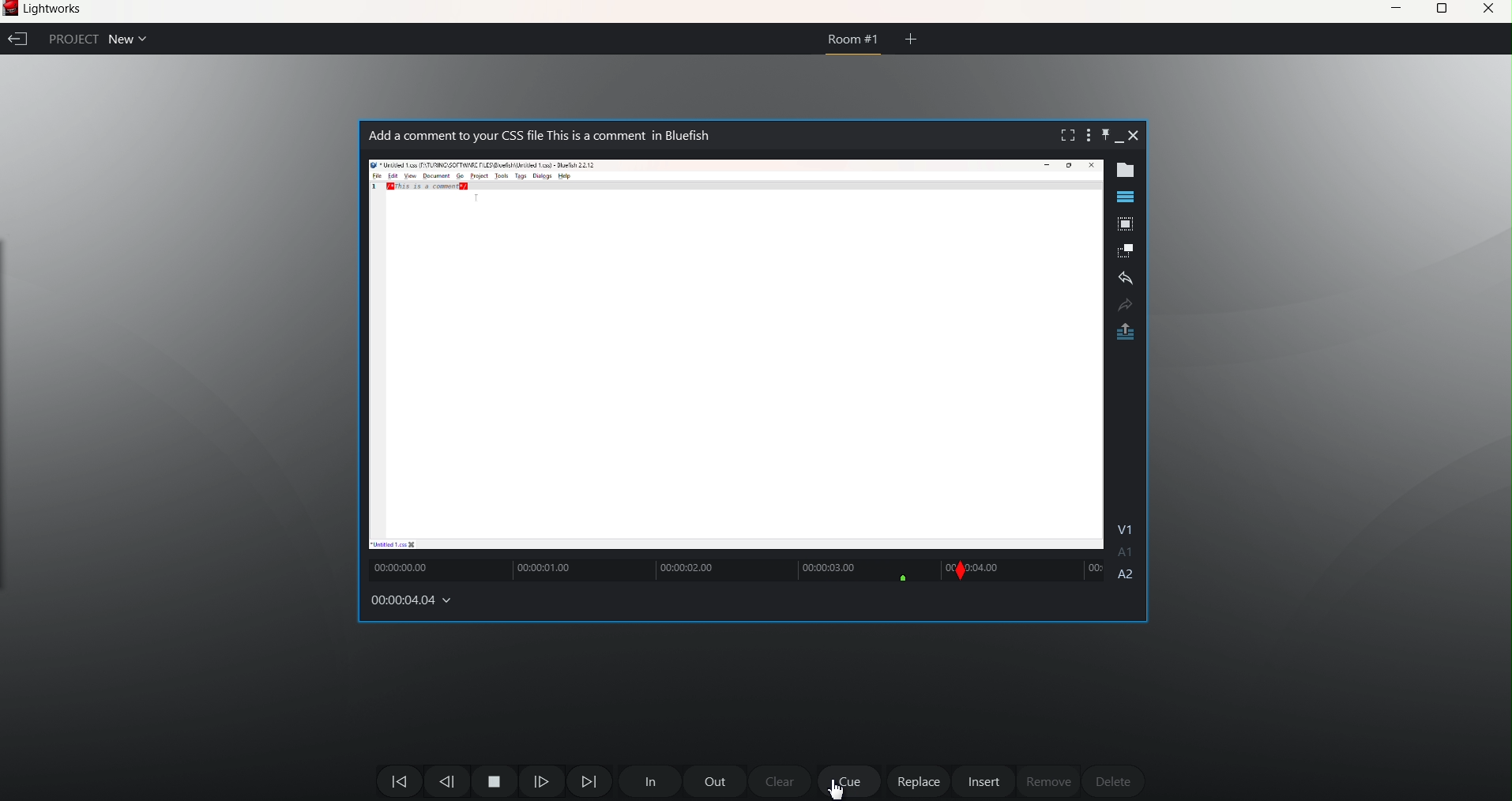 This screenshot has height=801, width=1512. What do you see at coordinates (1124, 226) in the screenshot?
I see `pop out tile` at bounding box center [1124, 226].